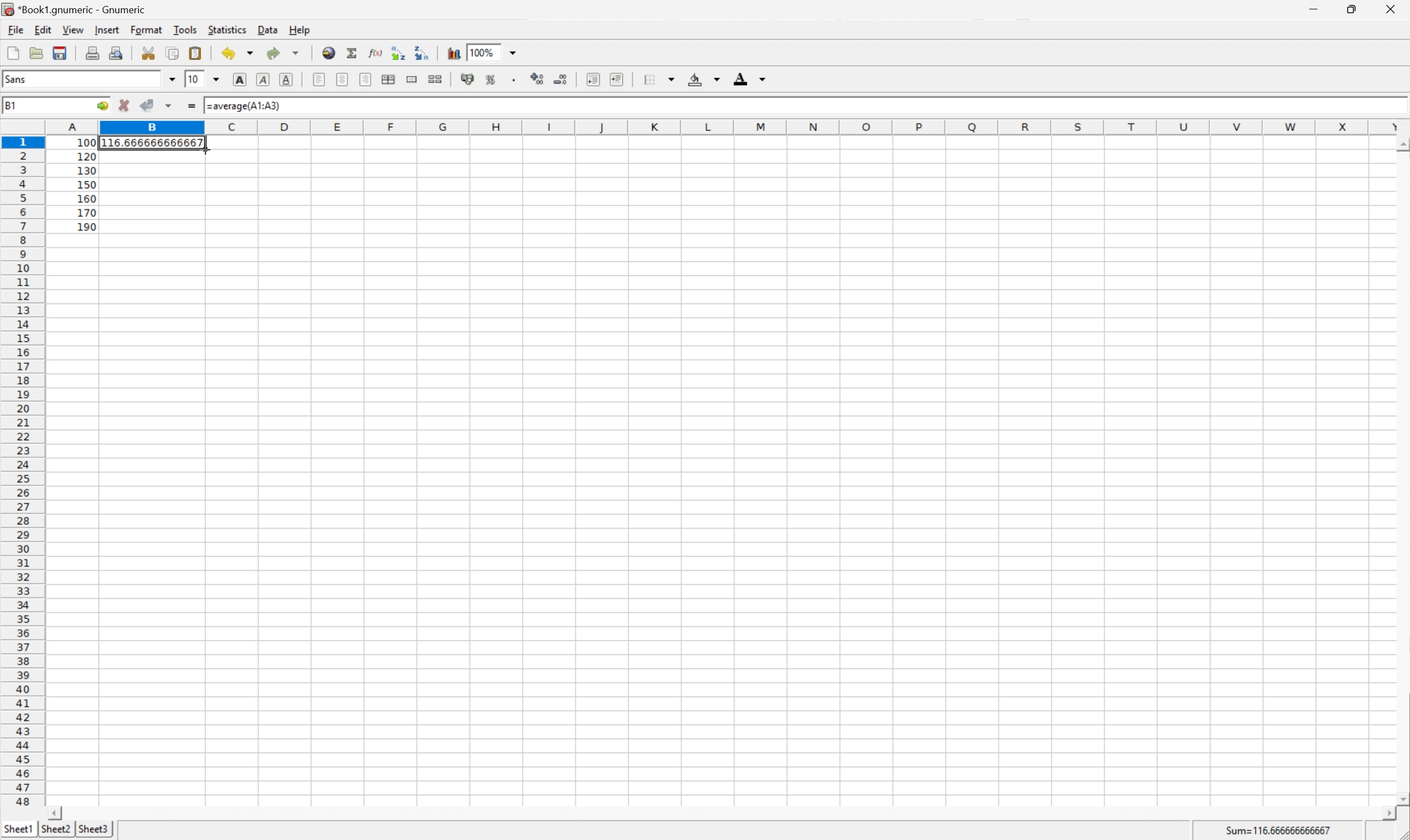 Image resolution: width=1410 pixels, height=840 pixels. Describe the element at coordinates (87, 212) in the screenshot. I see `170` at that location.